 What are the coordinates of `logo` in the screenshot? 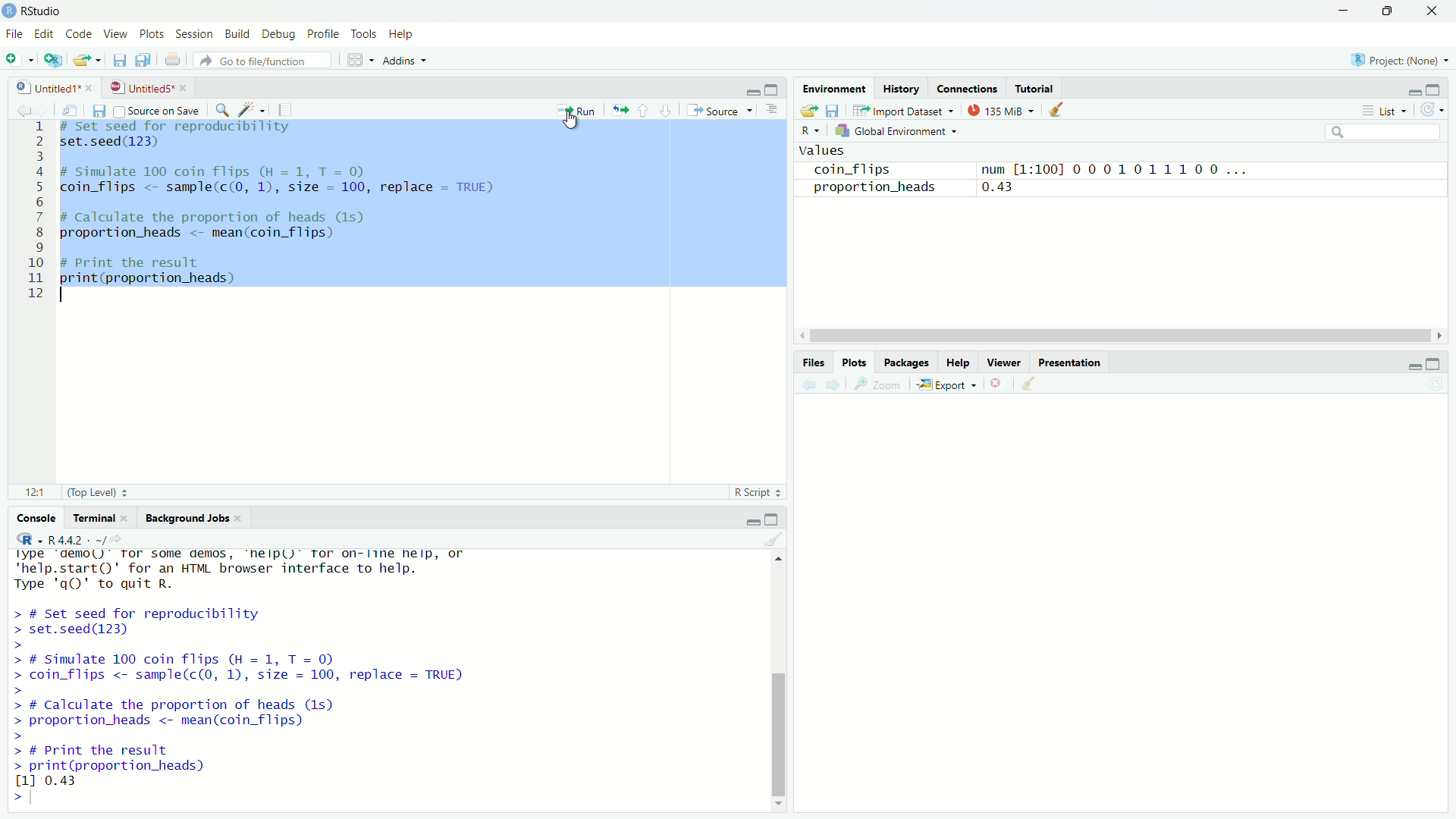 It's located at (9, 11).